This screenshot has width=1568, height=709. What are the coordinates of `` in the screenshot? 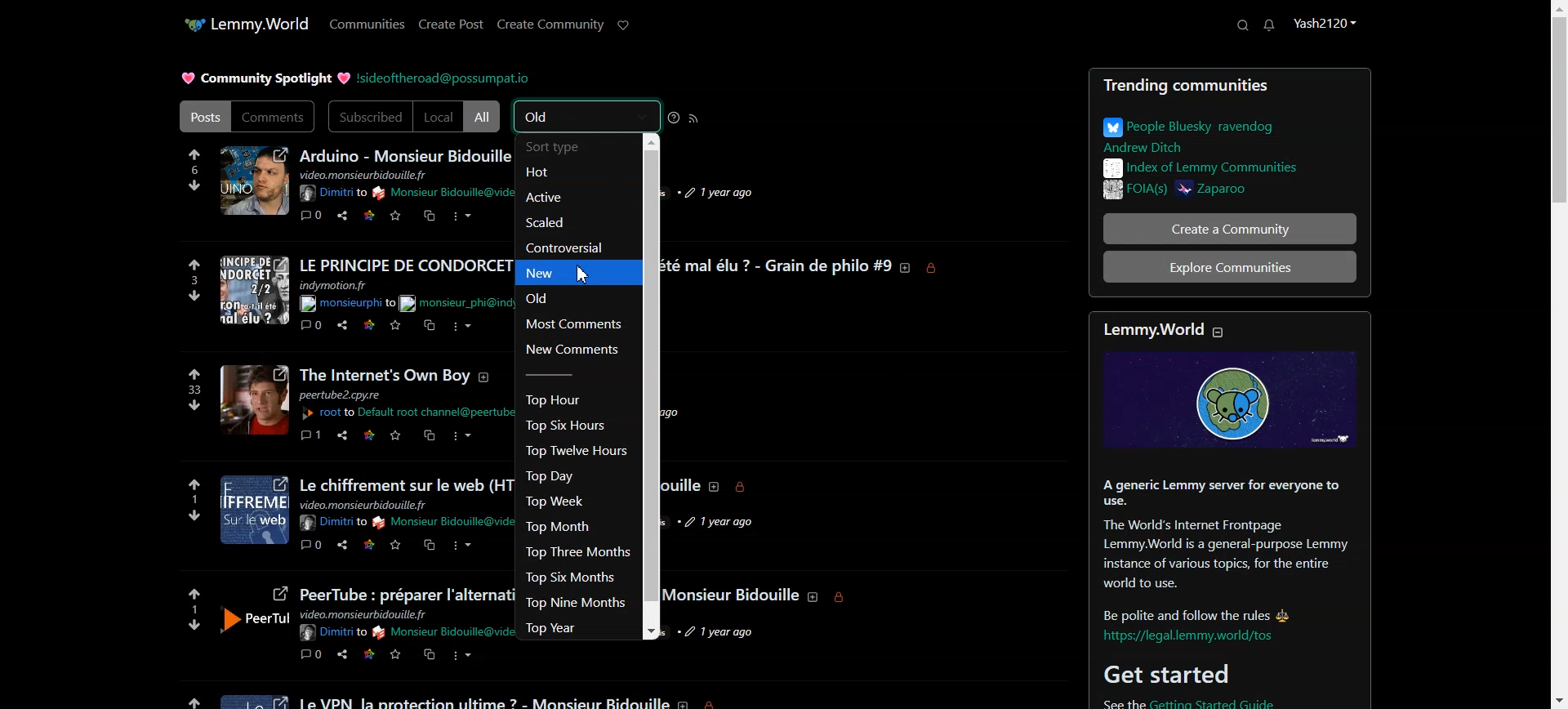 It's located at (344, 325).